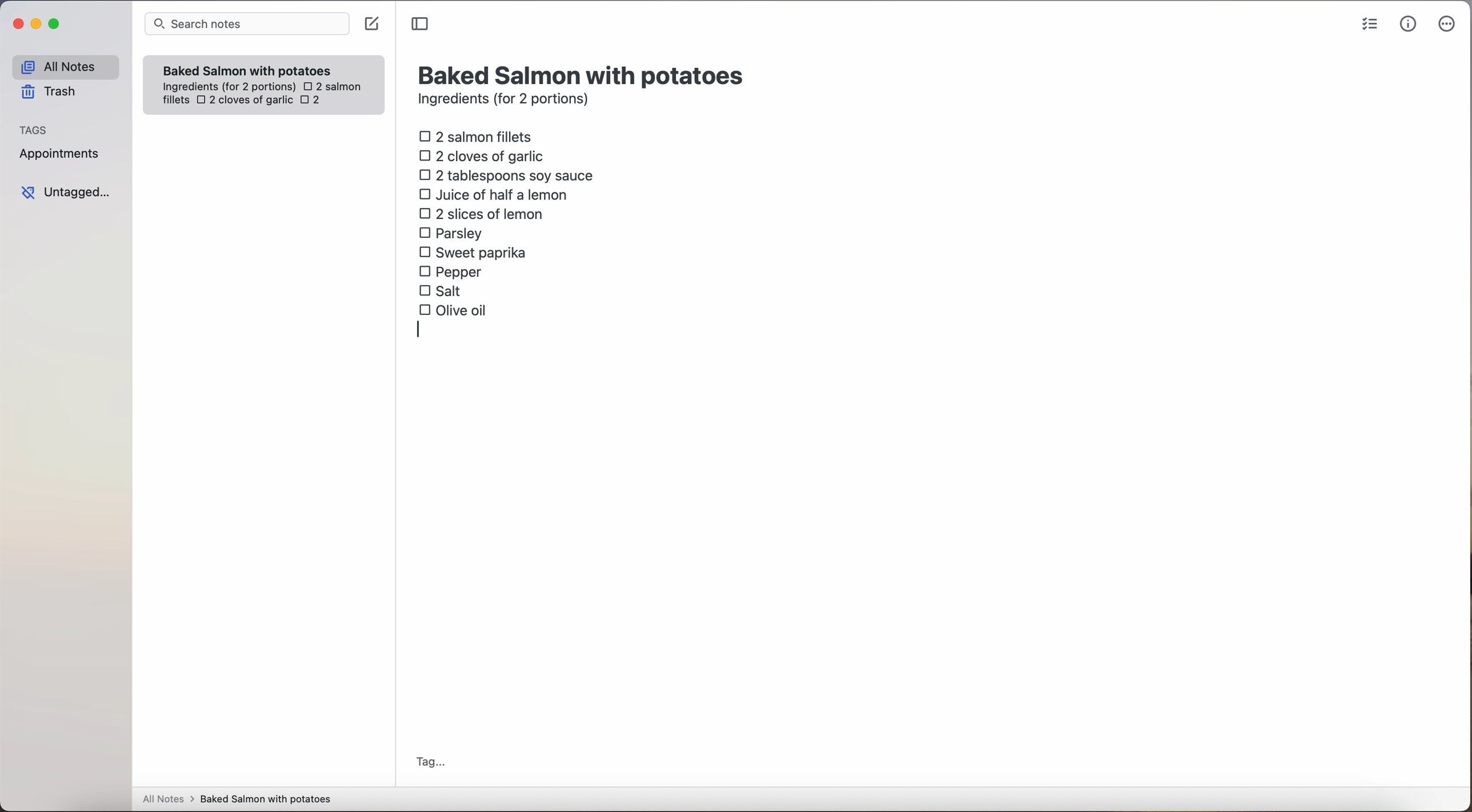 Image resolution: width=1472 pixels, height=812 pixels. Describe the element at coordinates (227, 87) in the screenshot. I see `ingredientes (for 2 portions)` at that location.